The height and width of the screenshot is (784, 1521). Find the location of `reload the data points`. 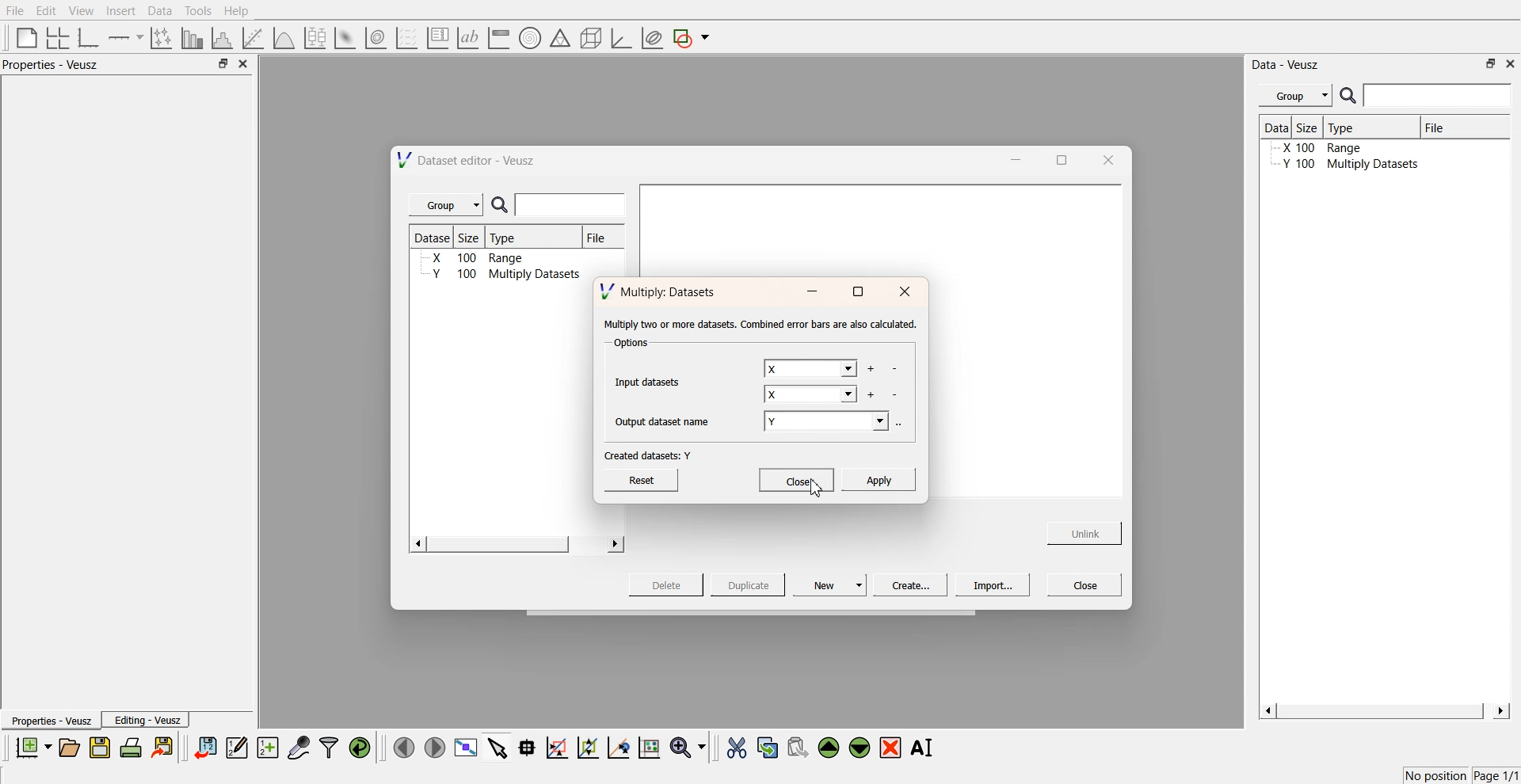

reload the data points is located at coordinates (360, 748).